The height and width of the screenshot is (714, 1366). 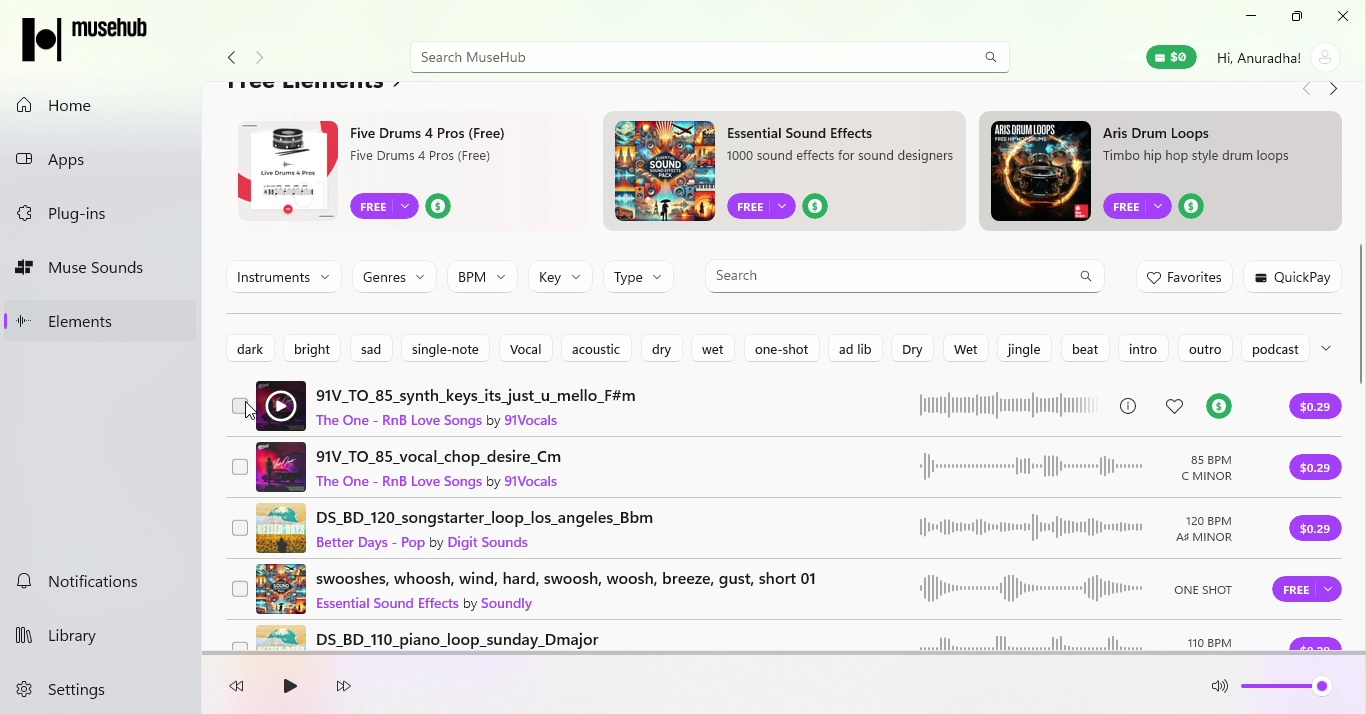 What do you see at coordinates (640, 282) in the screenshot?
I see `Type` at bounding box center [640, 282].